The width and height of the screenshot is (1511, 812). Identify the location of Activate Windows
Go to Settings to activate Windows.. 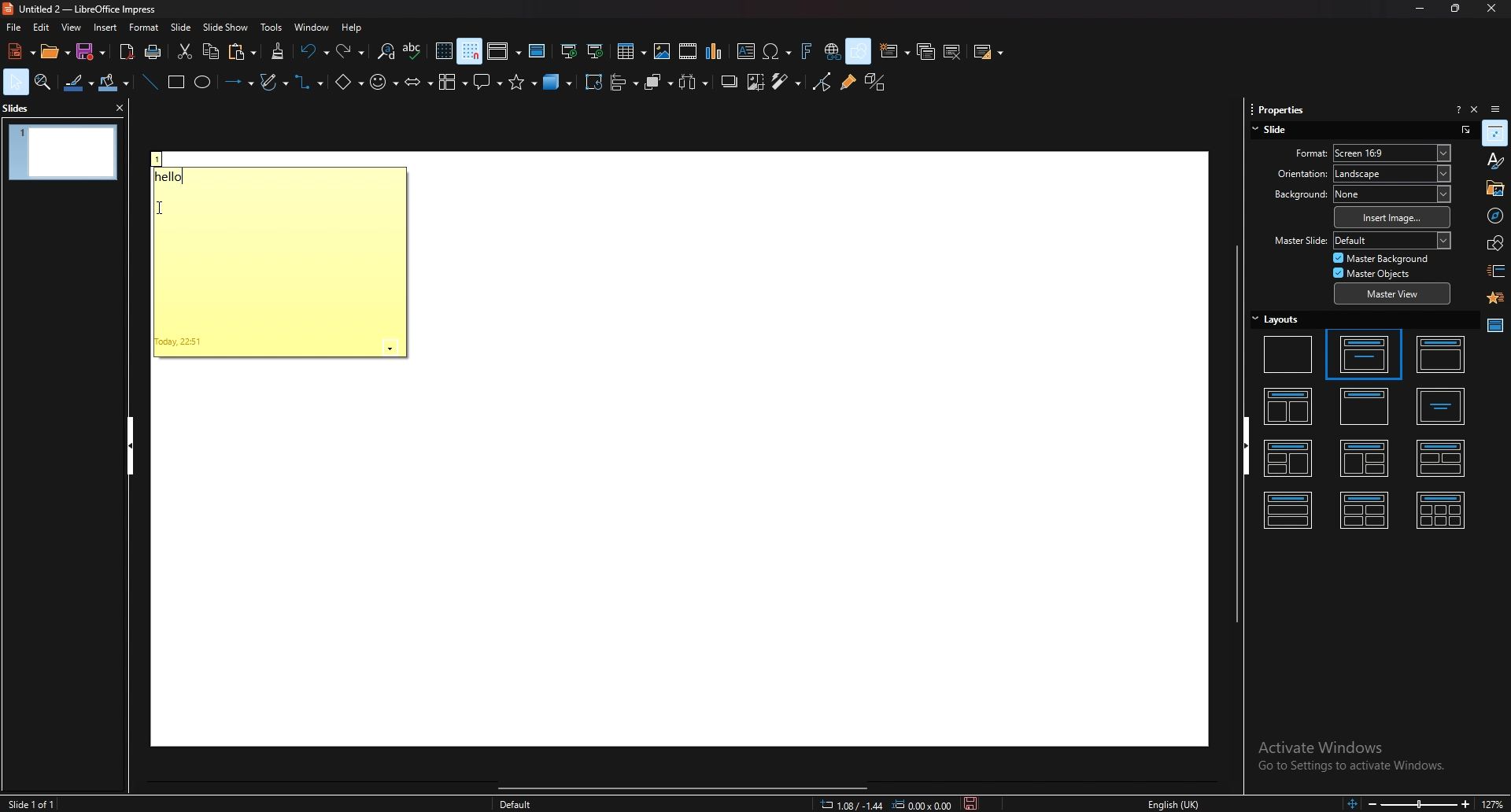
(1354, 758).